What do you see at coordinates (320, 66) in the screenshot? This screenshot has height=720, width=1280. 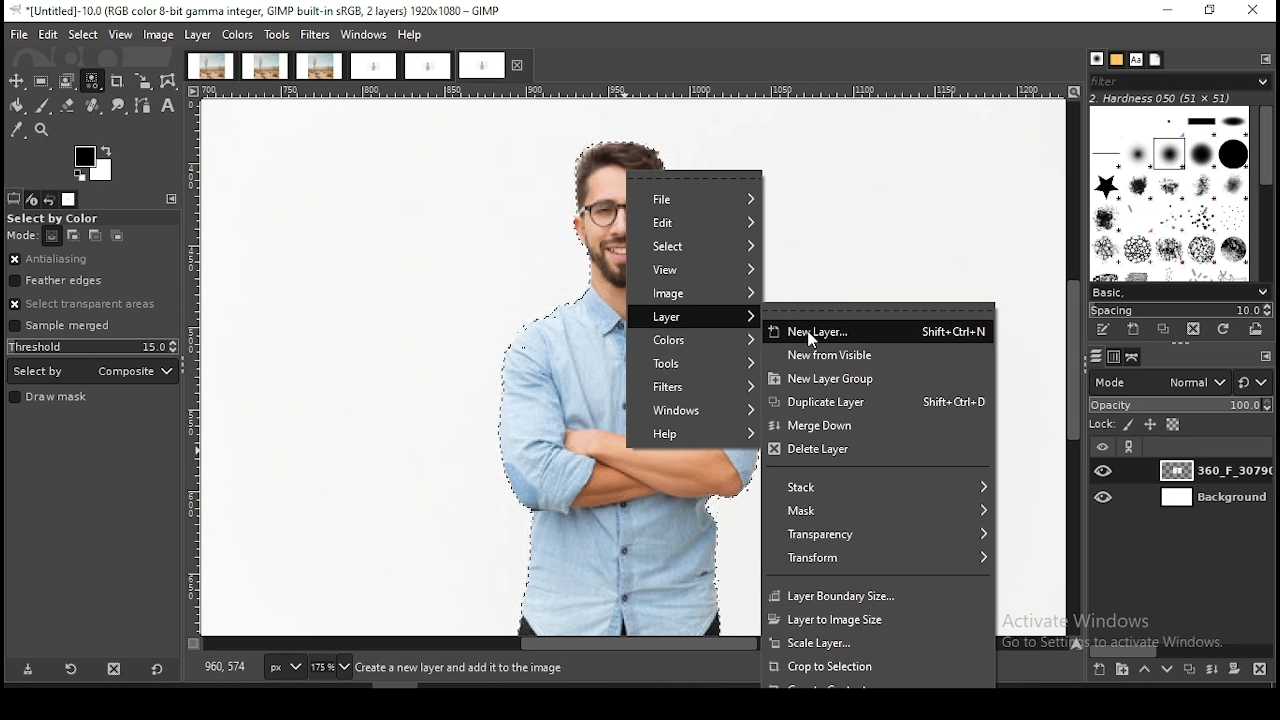 I see `project tab` at bounding box center [320, 66].